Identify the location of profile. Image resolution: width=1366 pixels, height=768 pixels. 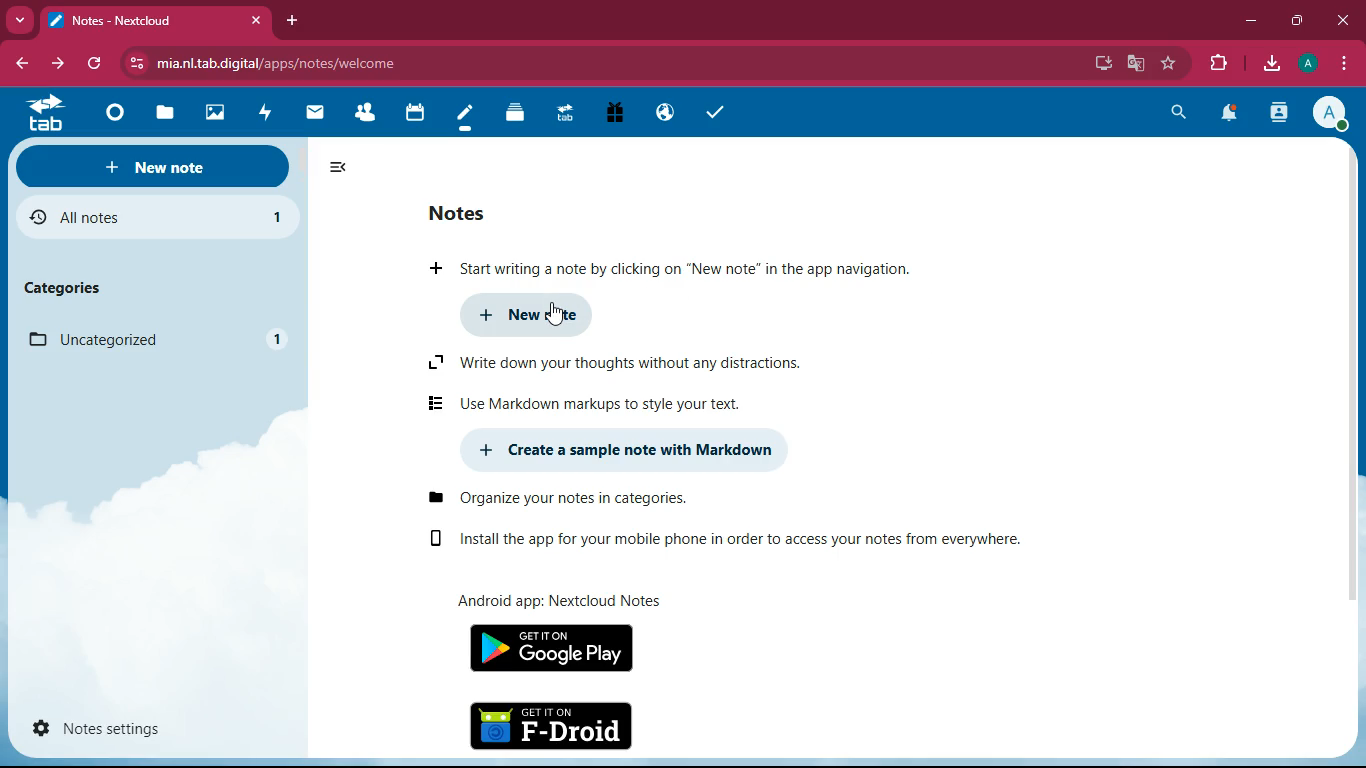
(1307, 63).